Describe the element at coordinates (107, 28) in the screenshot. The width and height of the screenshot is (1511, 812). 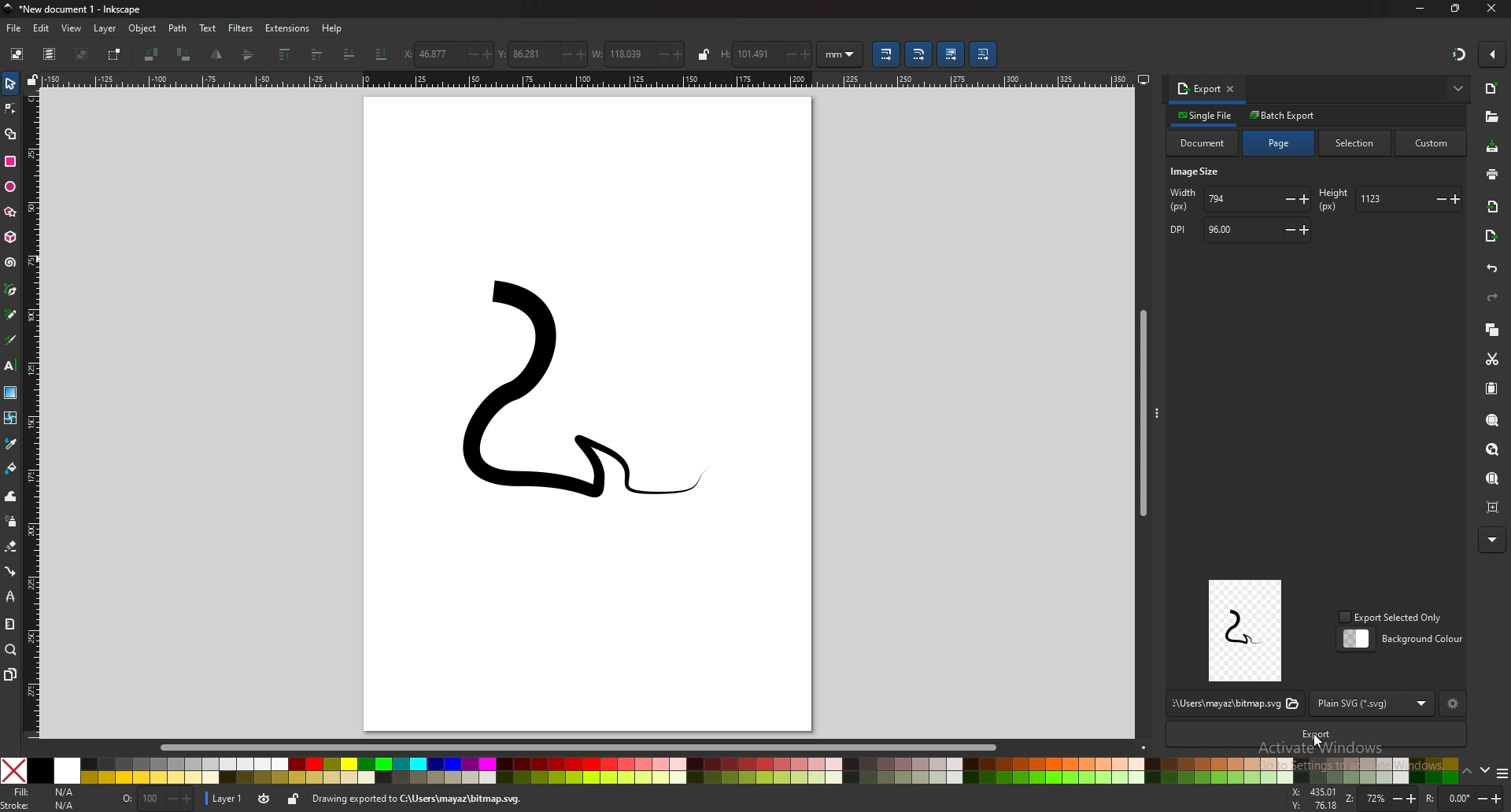
I see `layer` at that location.